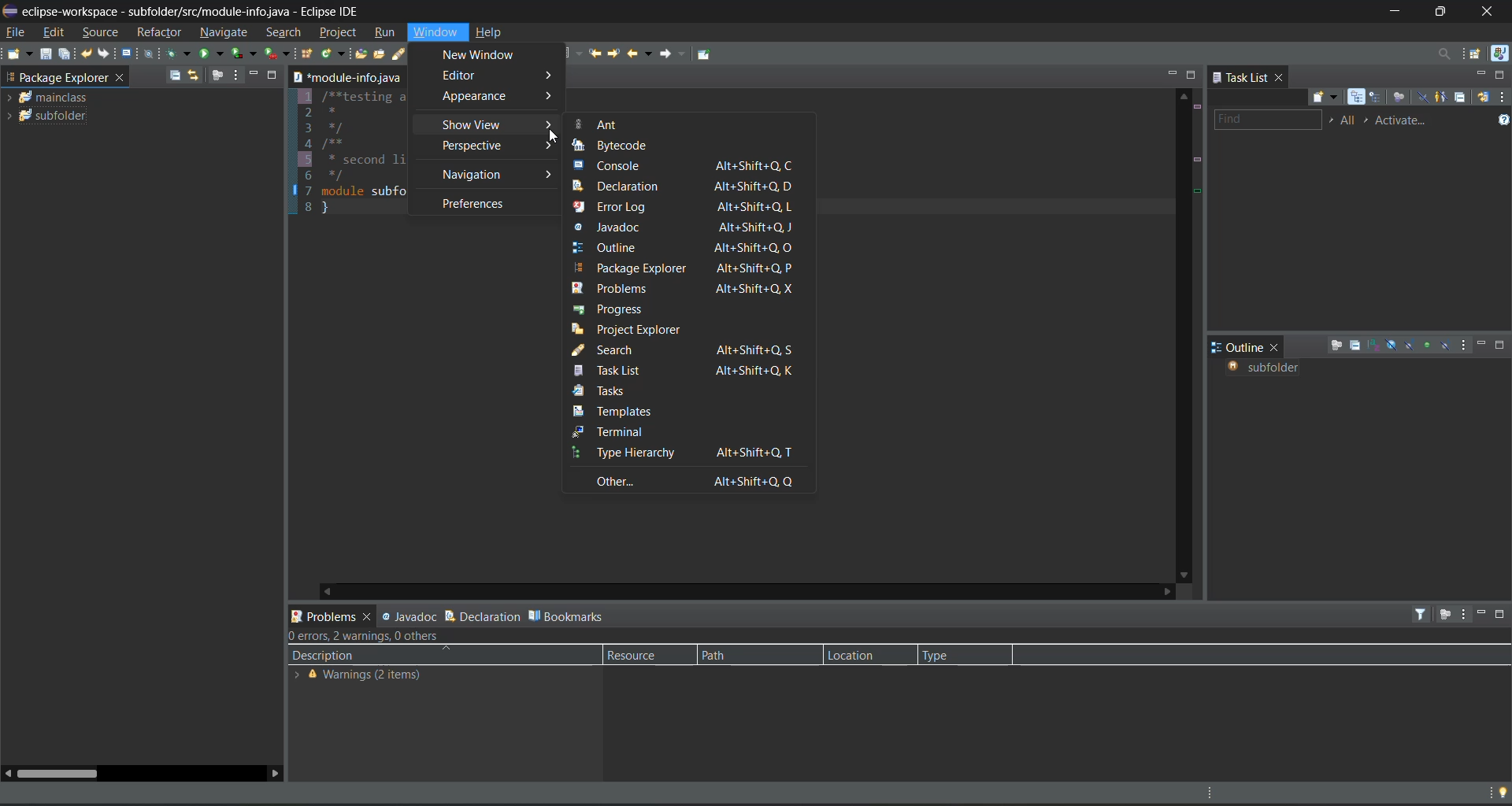  I want to click on focus on active task, so click(216, 76).